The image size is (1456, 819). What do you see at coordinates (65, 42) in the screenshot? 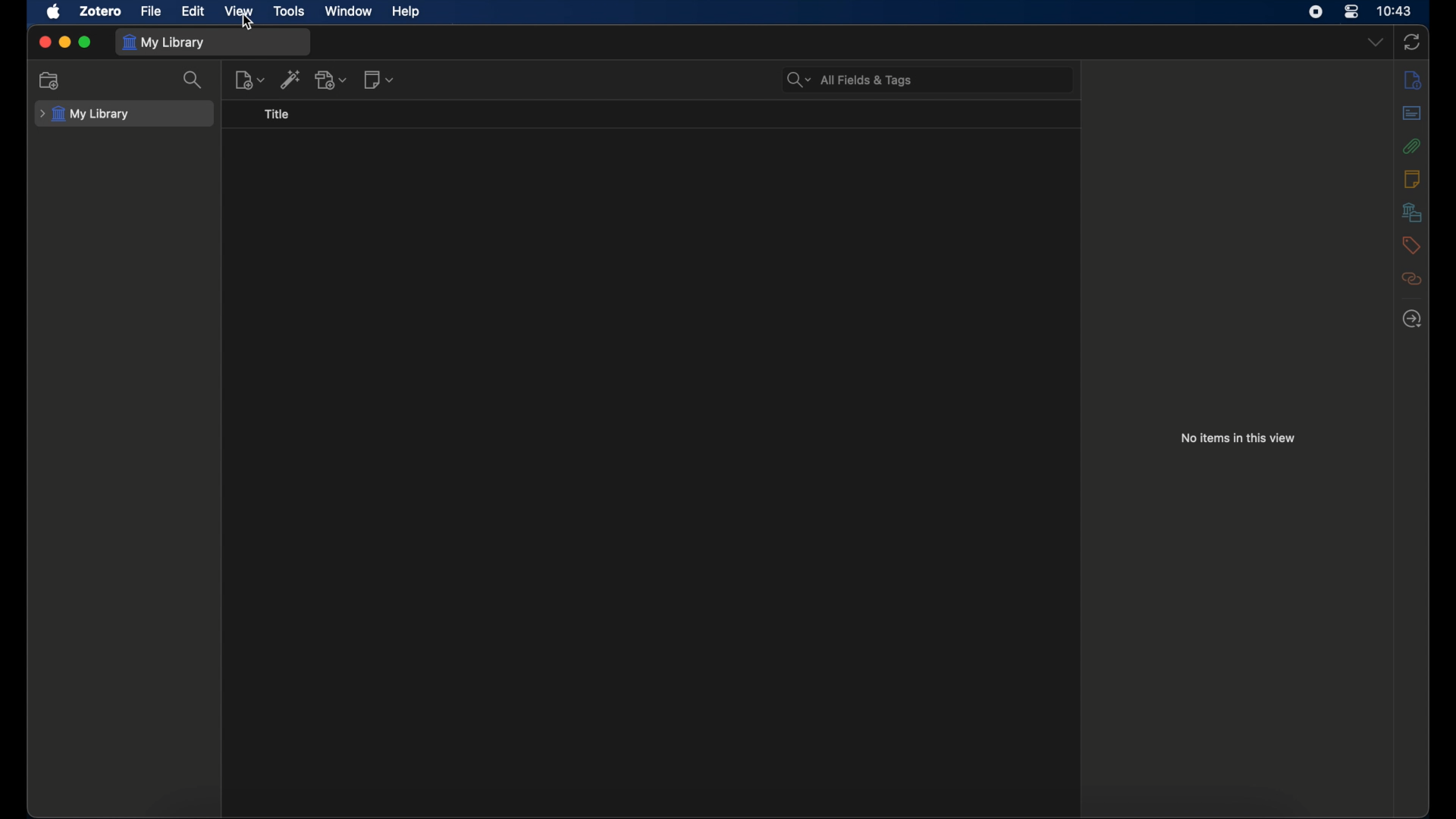
I see `minimize` at bounding box center [65, 42].